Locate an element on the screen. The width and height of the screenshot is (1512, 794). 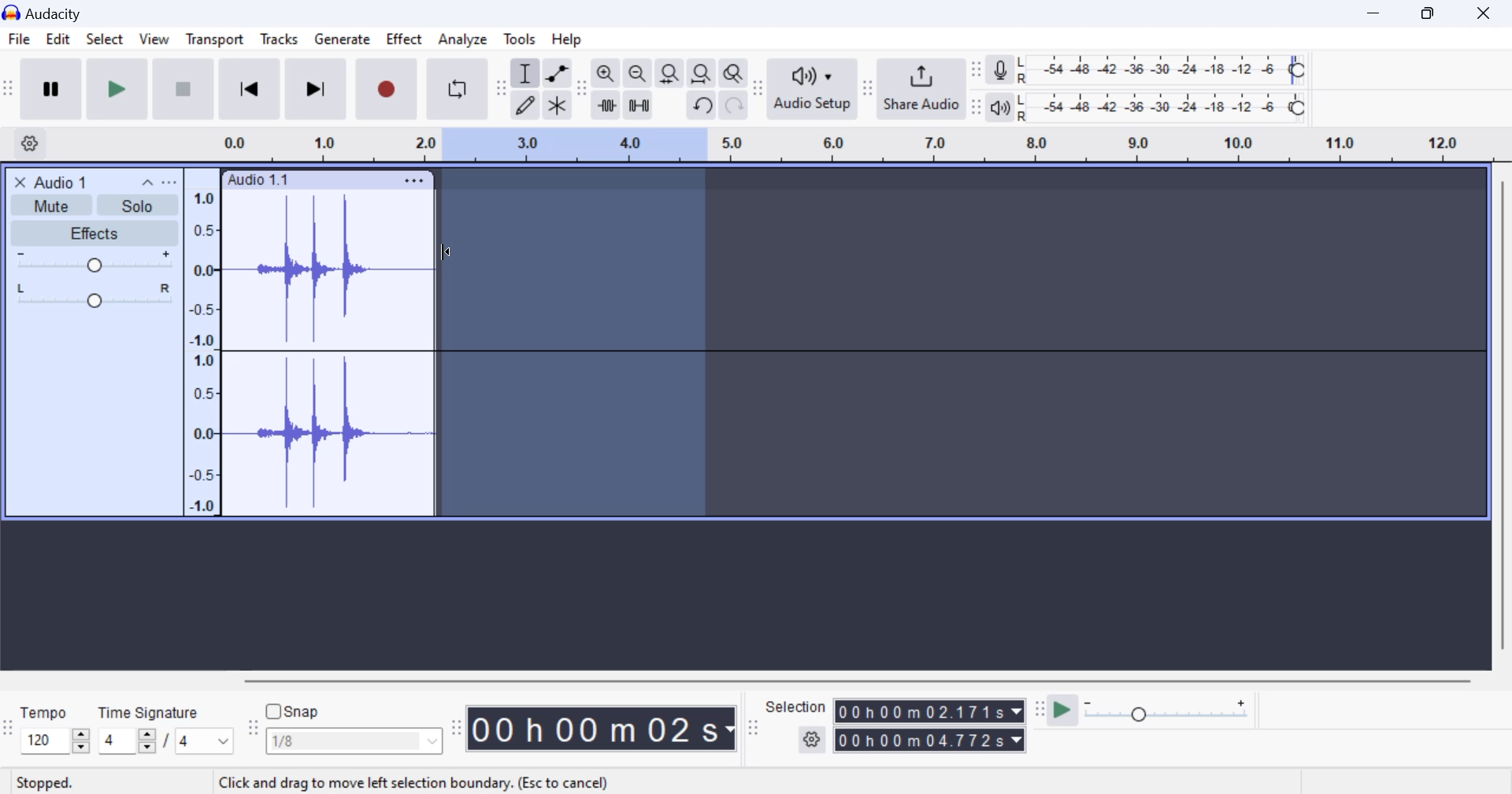
increase or decrease tempo is located at coordinates (54, 740).